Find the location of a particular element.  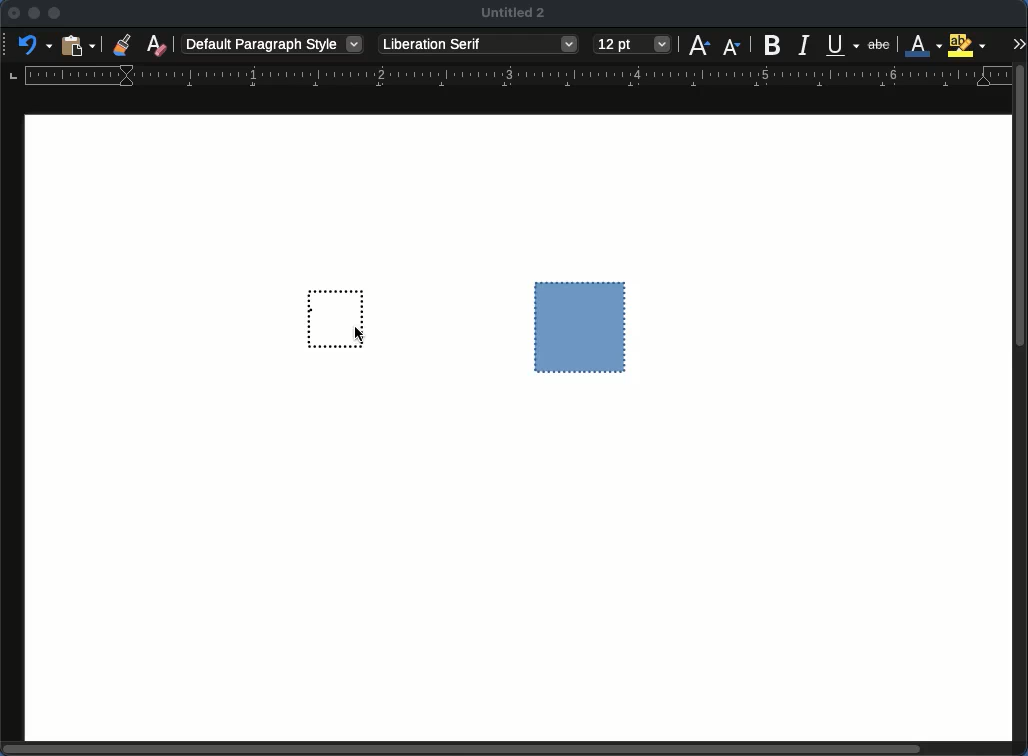

Untitled 2 - name is located at coordinates (515, 11).